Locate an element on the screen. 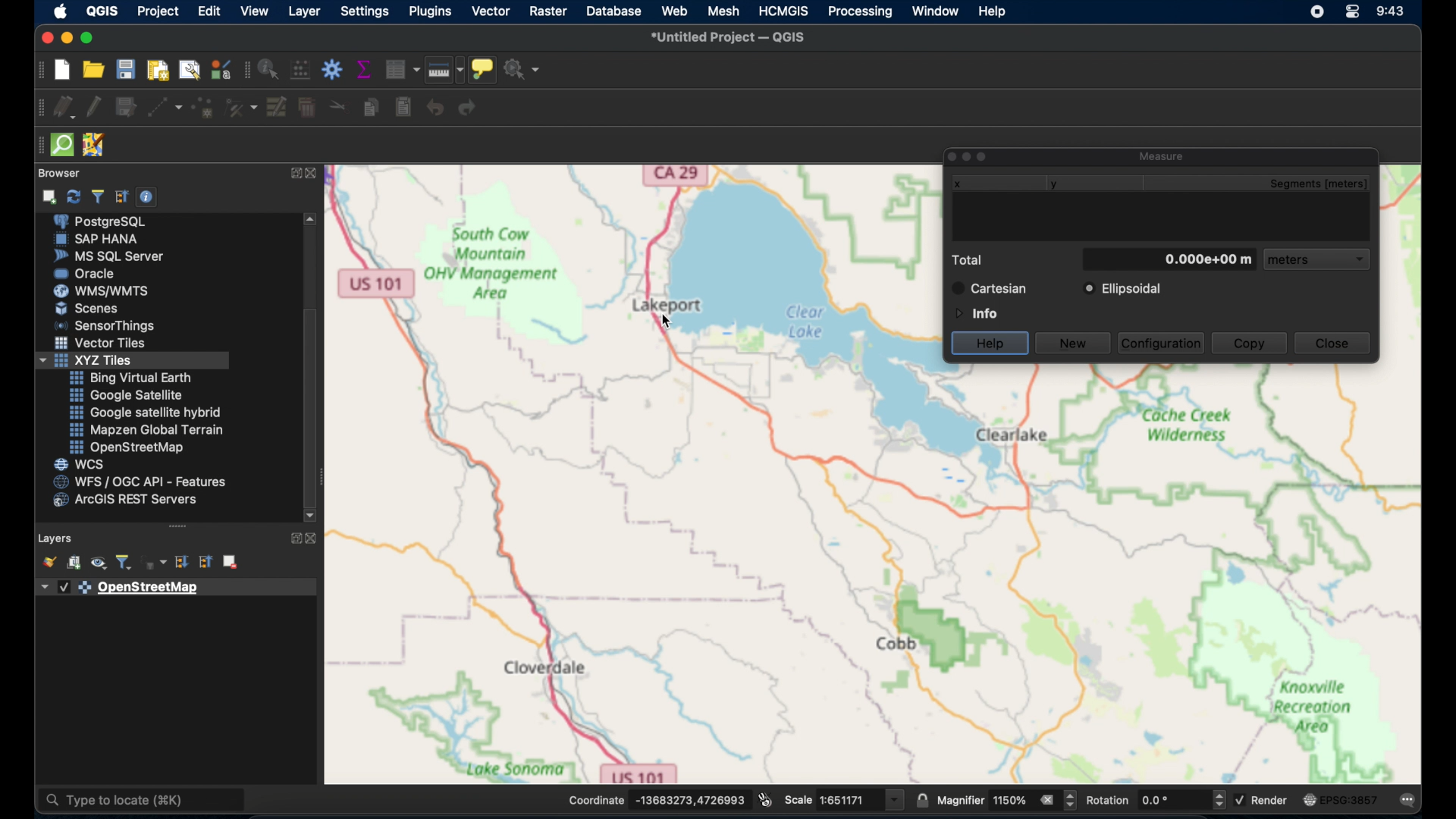 The height and width of the screenshot is (819, 1456). render is located at coordinates (1266, 802).